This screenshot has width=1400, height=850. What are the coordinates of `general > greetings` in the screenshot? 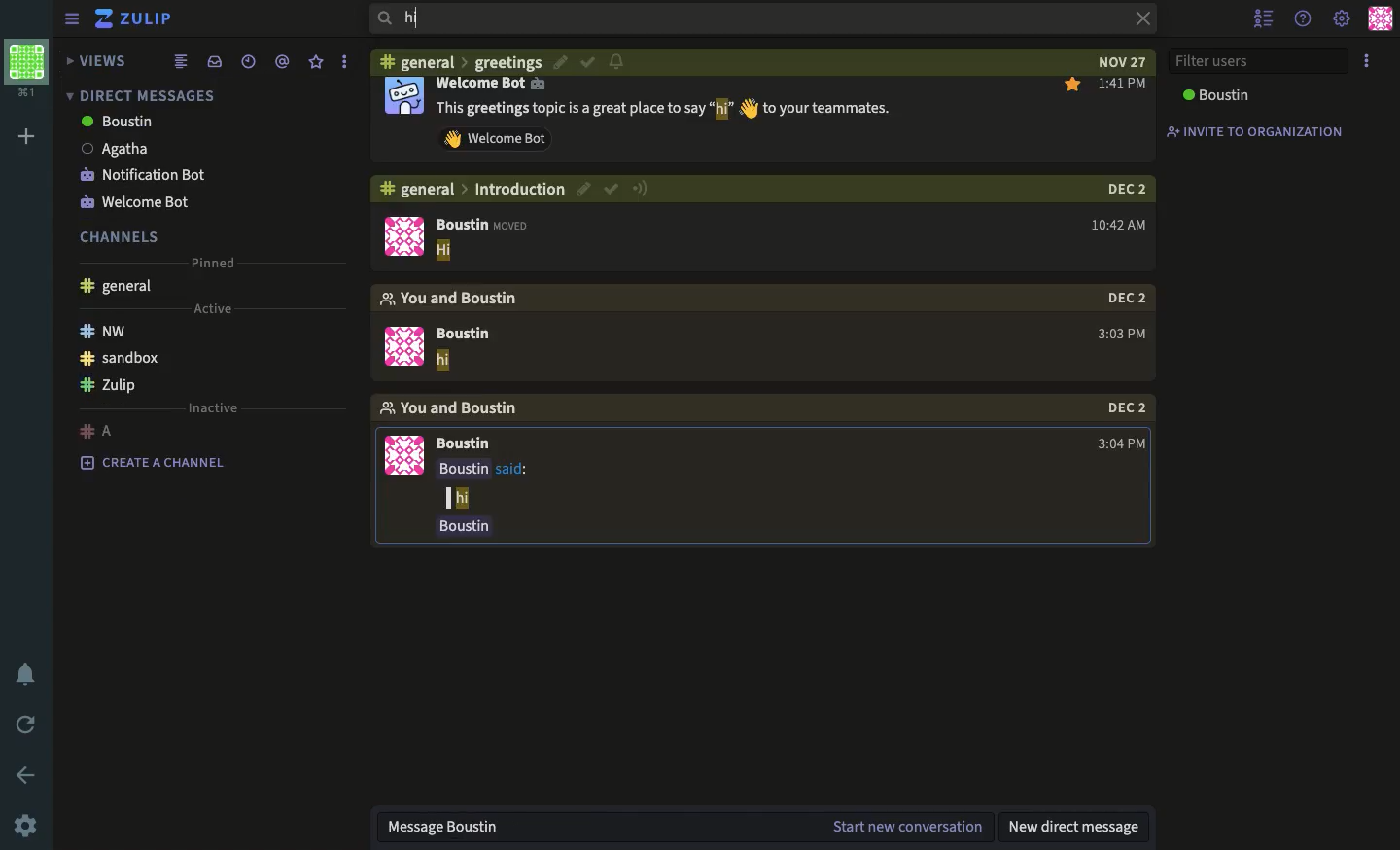 It's located at (461, 61).